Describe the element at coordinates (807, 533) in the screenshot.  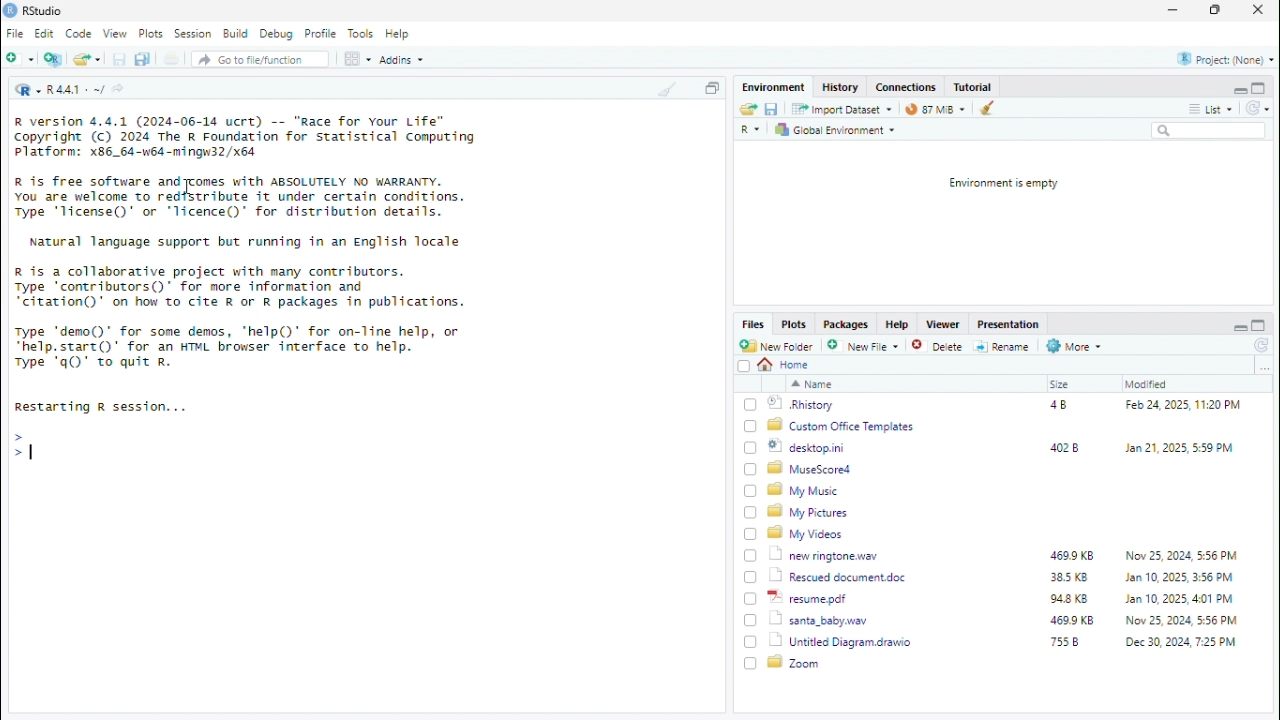
I see `My Videos` at that location.